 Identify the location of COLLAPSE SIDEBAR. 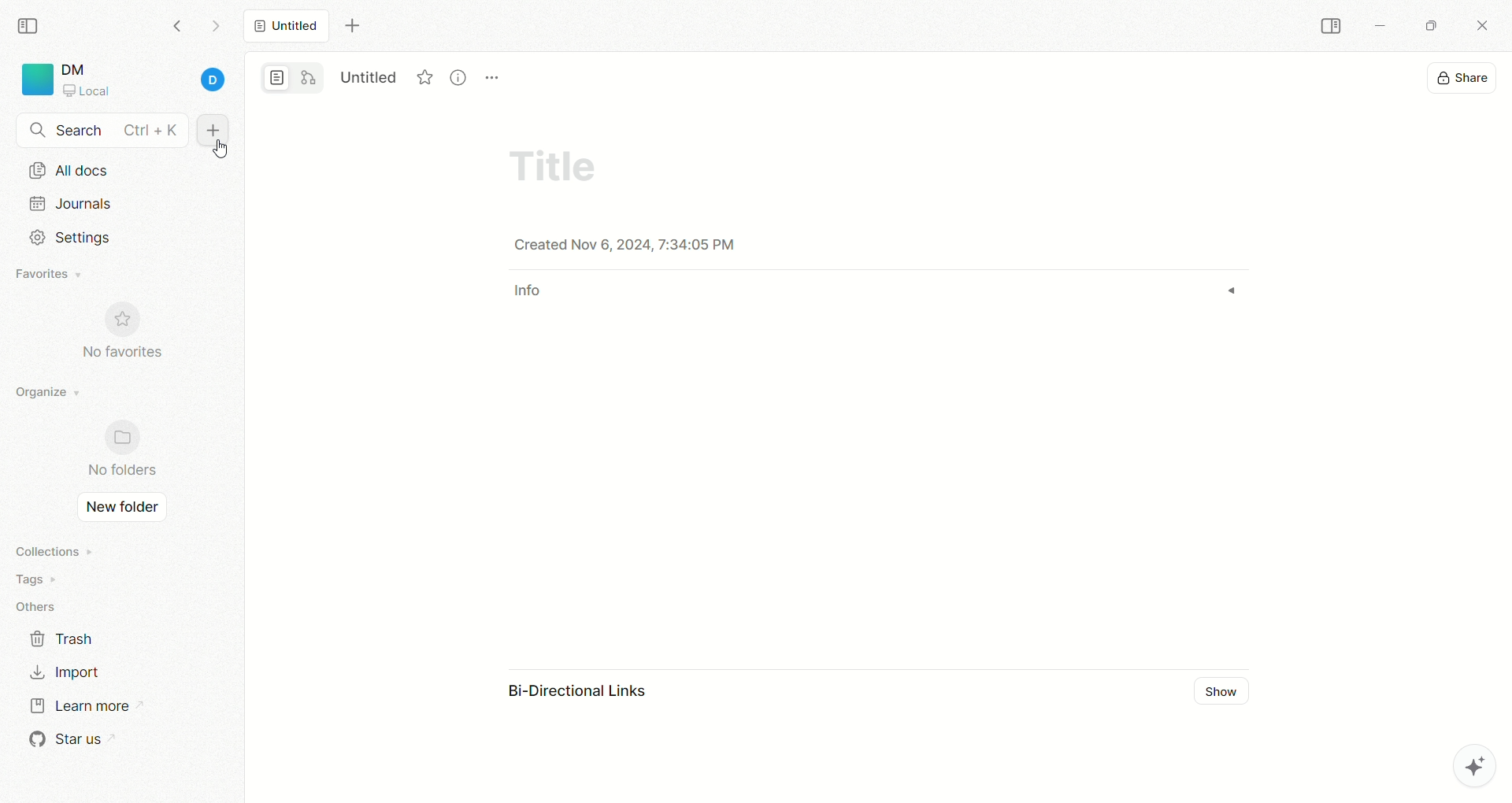
(1332, 27).